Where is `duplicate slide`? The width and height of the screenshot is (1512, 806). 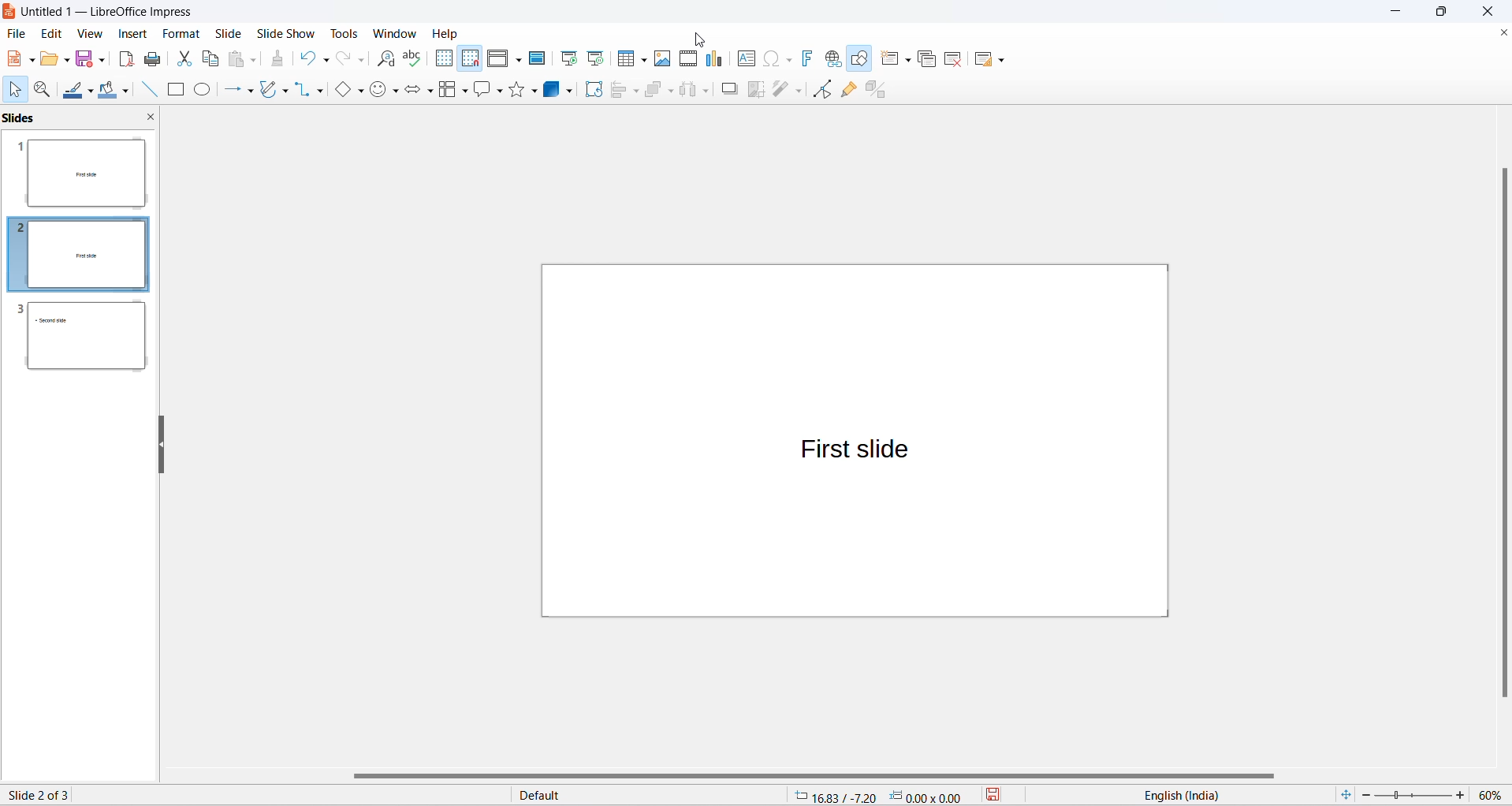 duplicate slide is located at coordinates (929, 57).